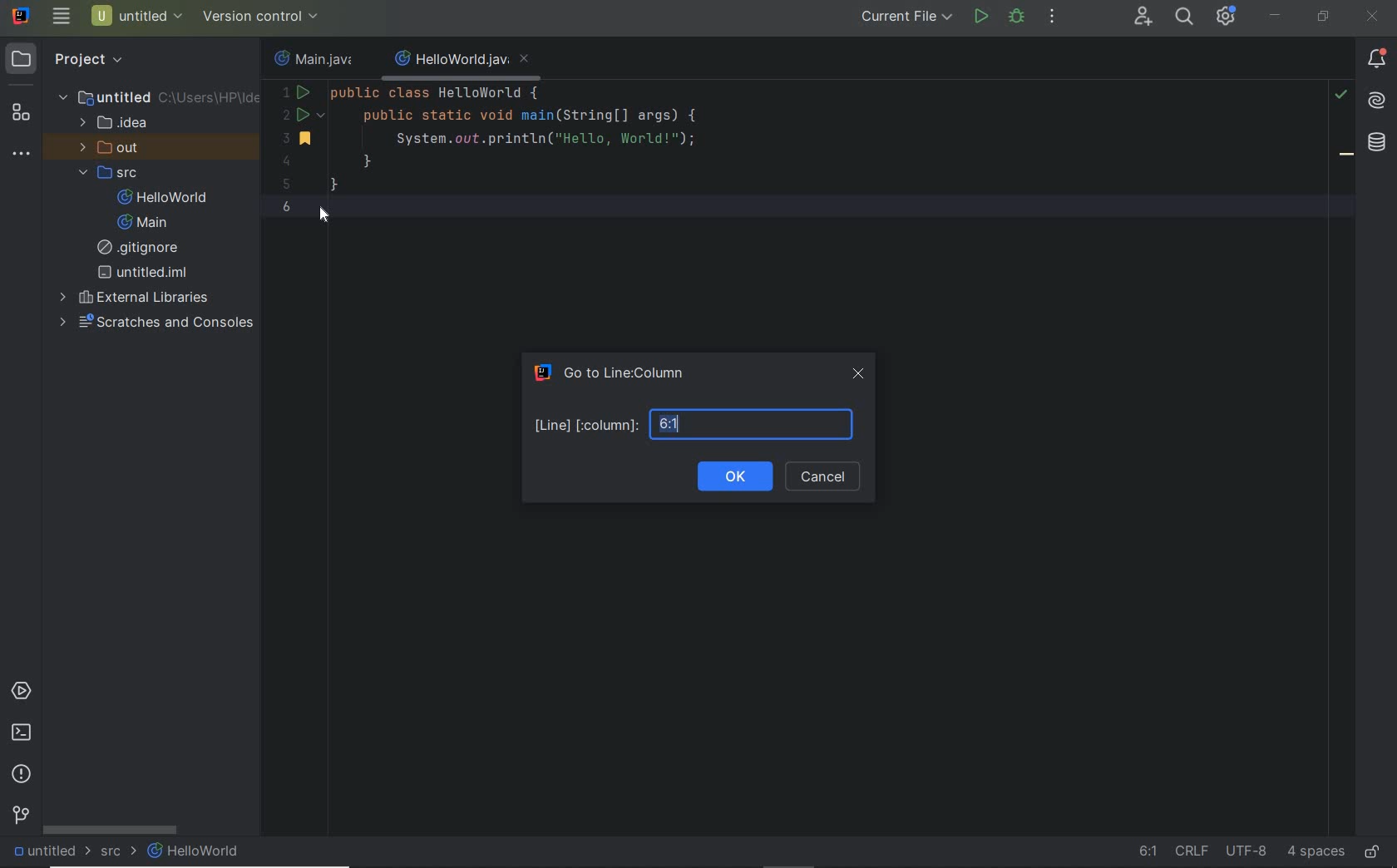 The width and height of the screenshot is (1397, 868). Describe the element at coordinates (909, 17) in the screenshot. I see `run/debug configurations` at that location.